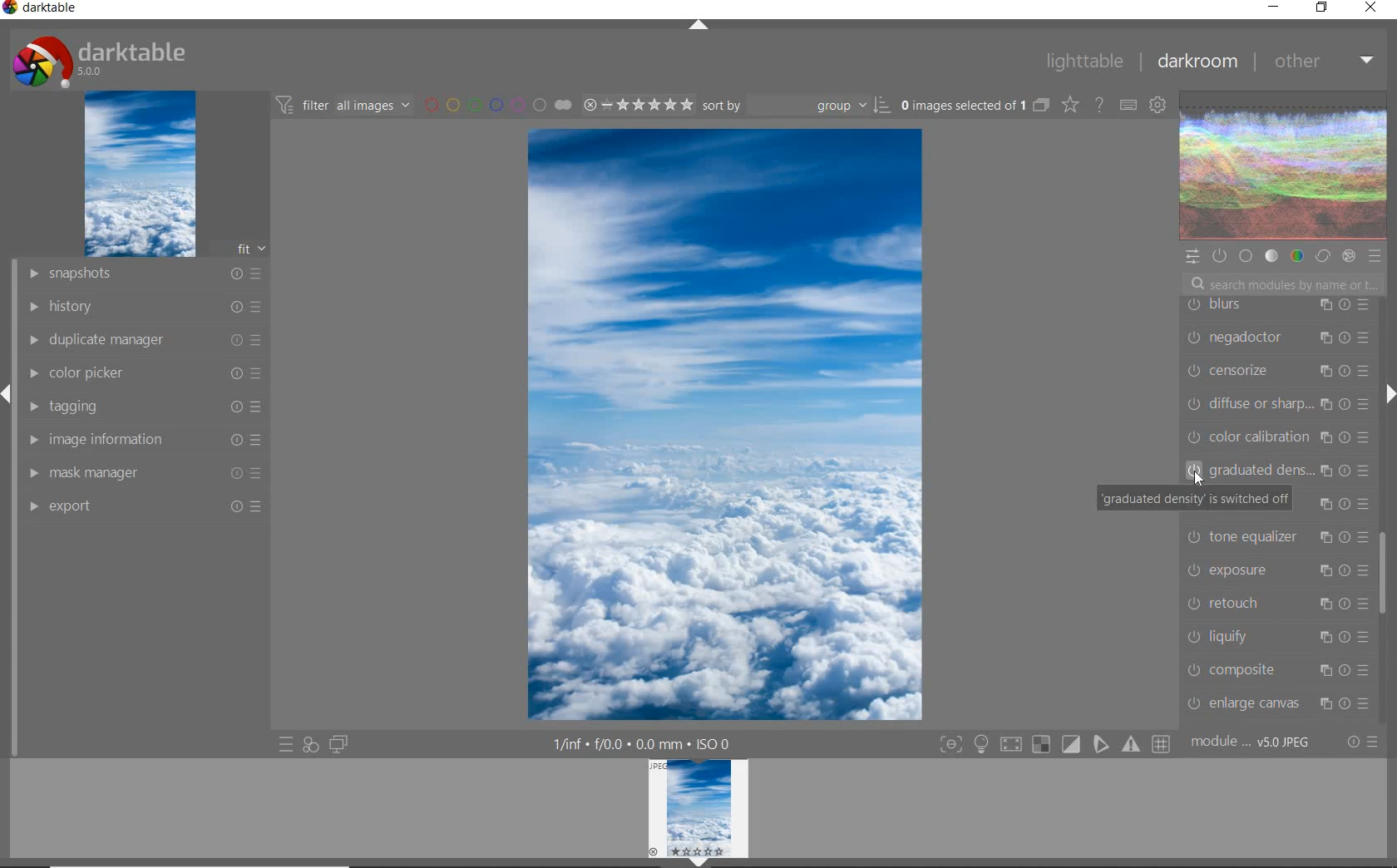 The width and height of the screenshot is (1397, 868). What do you see at coordinates (1276, 703) in the screenshot?
I see `enlarge canvas` at bounding box center [1276, 703].